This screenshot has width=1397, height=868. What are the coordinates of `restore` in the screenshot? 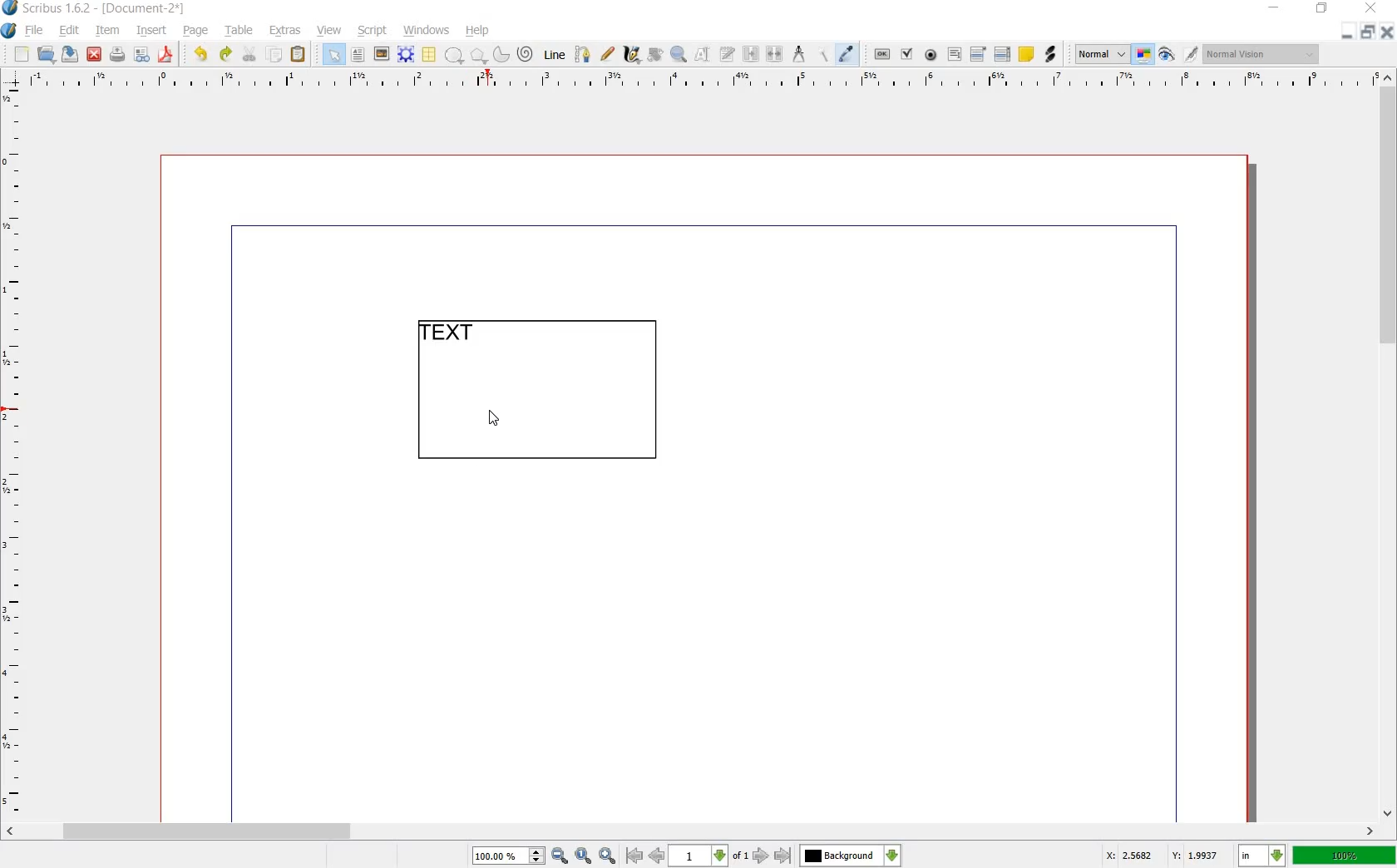 It's located at (1367, 33).